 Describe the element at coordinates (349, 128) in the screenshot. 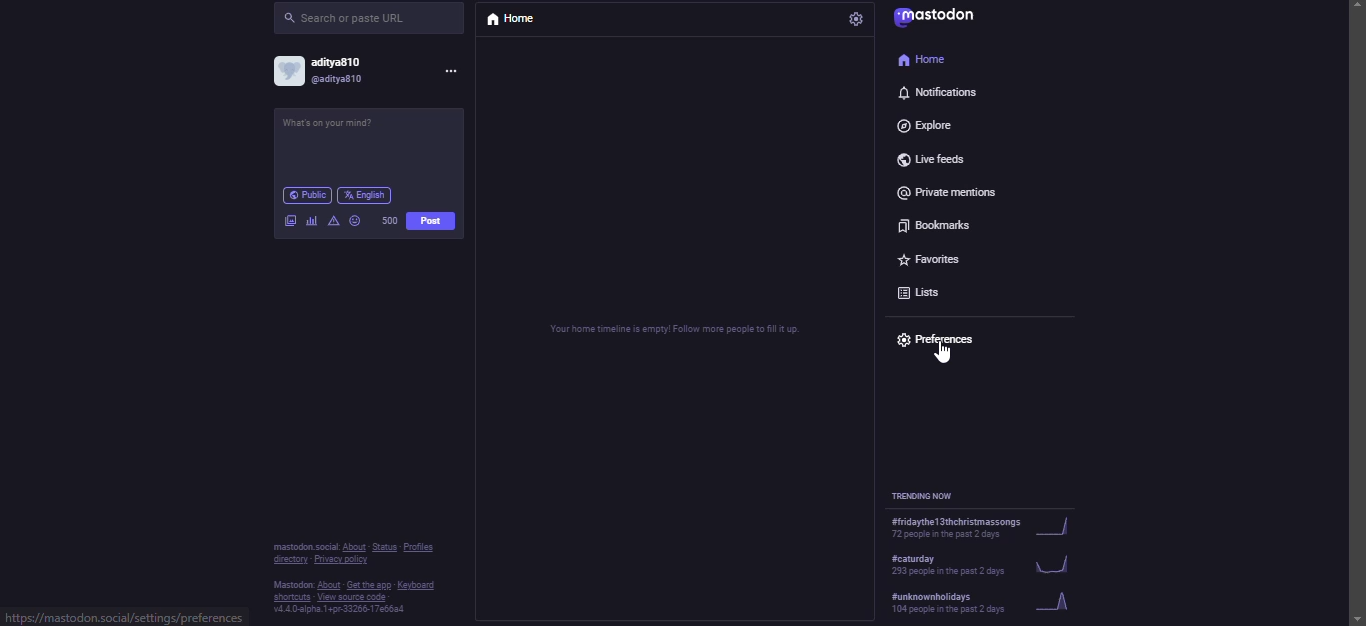

I see `post` at that location.